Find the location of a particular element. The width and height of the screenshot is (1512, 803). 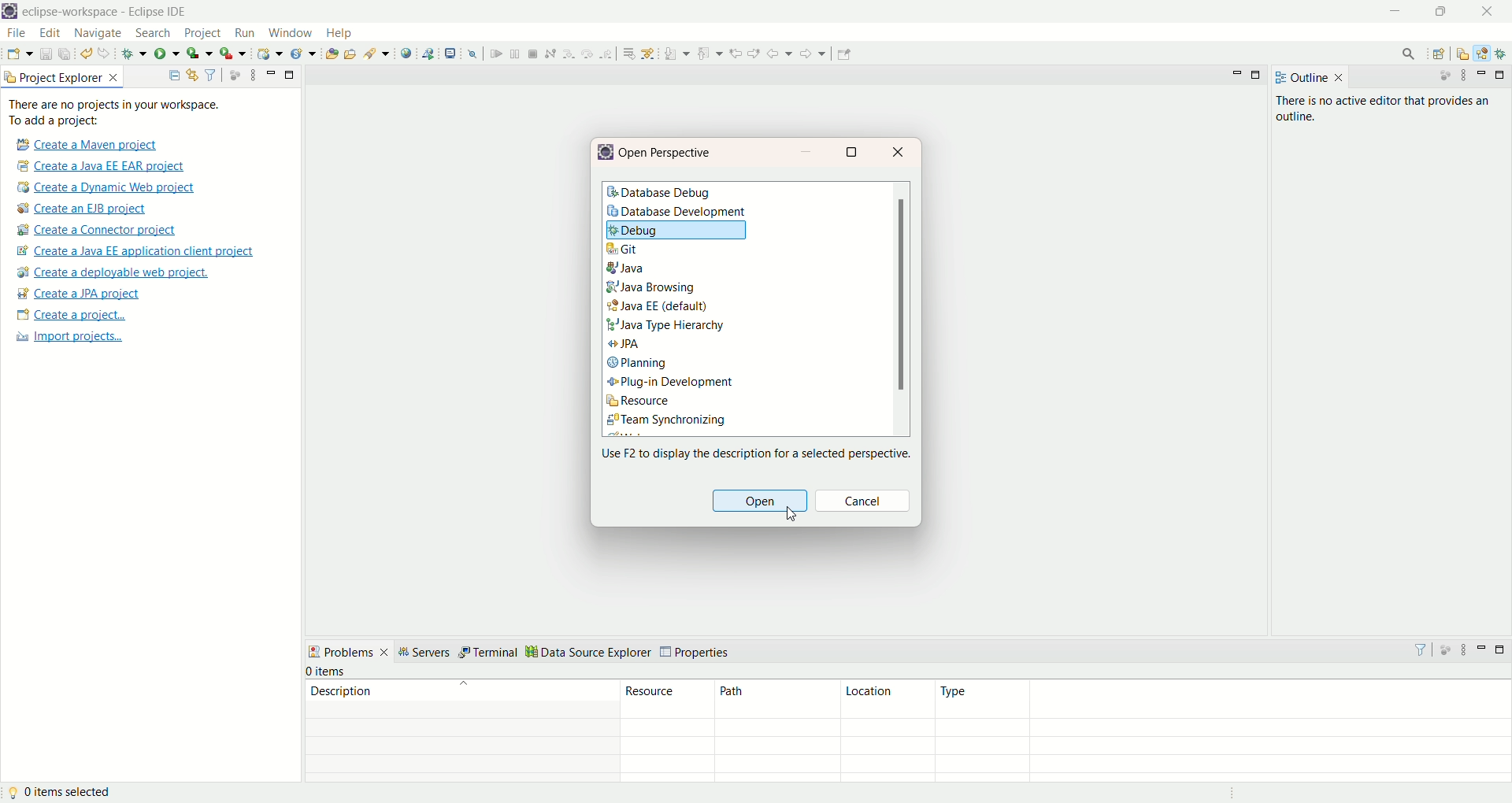

view menu is located at coordinates (252, 76).